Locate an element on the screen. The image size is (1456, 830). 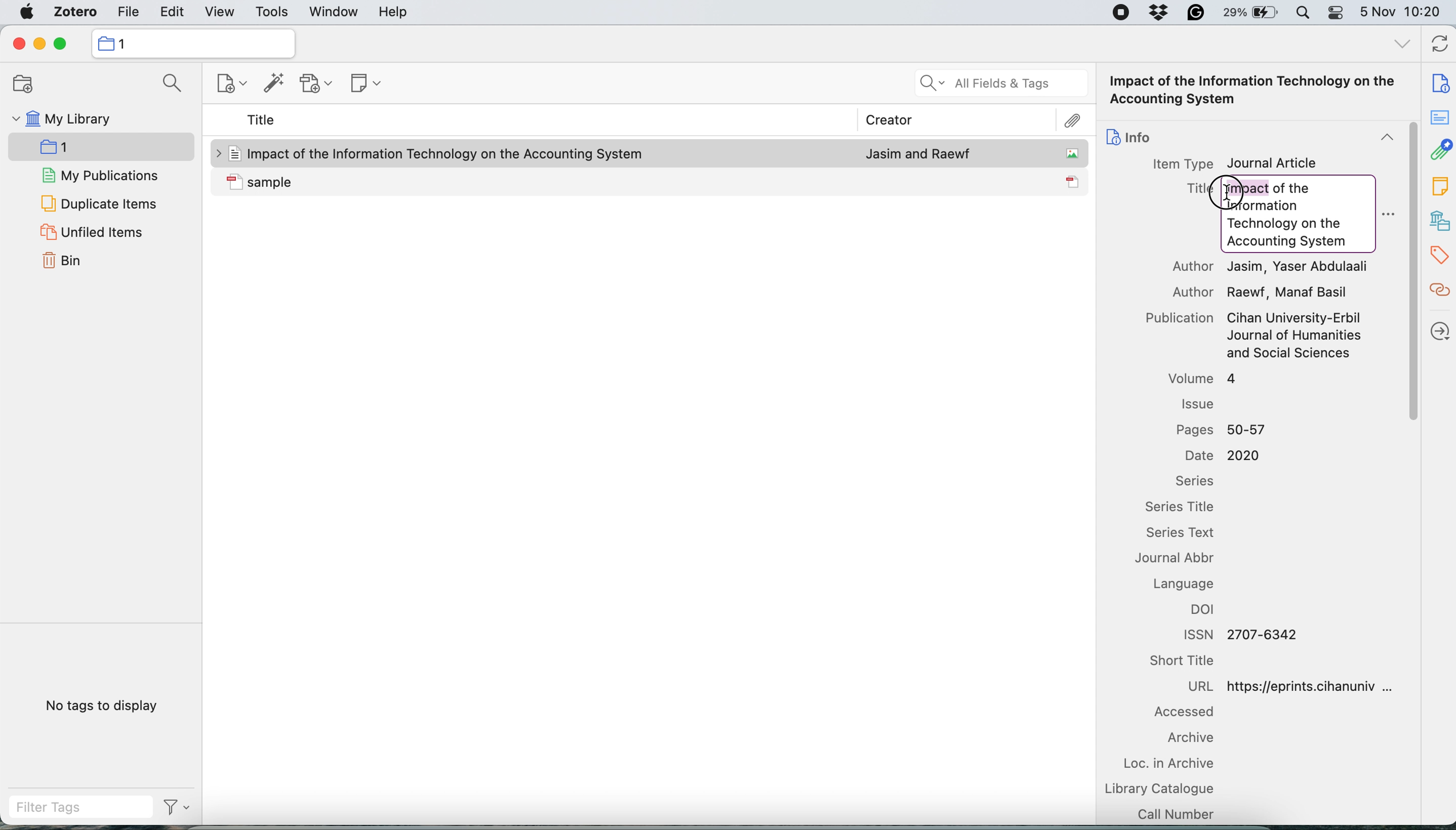
icon is located at coordinates (234, 181).